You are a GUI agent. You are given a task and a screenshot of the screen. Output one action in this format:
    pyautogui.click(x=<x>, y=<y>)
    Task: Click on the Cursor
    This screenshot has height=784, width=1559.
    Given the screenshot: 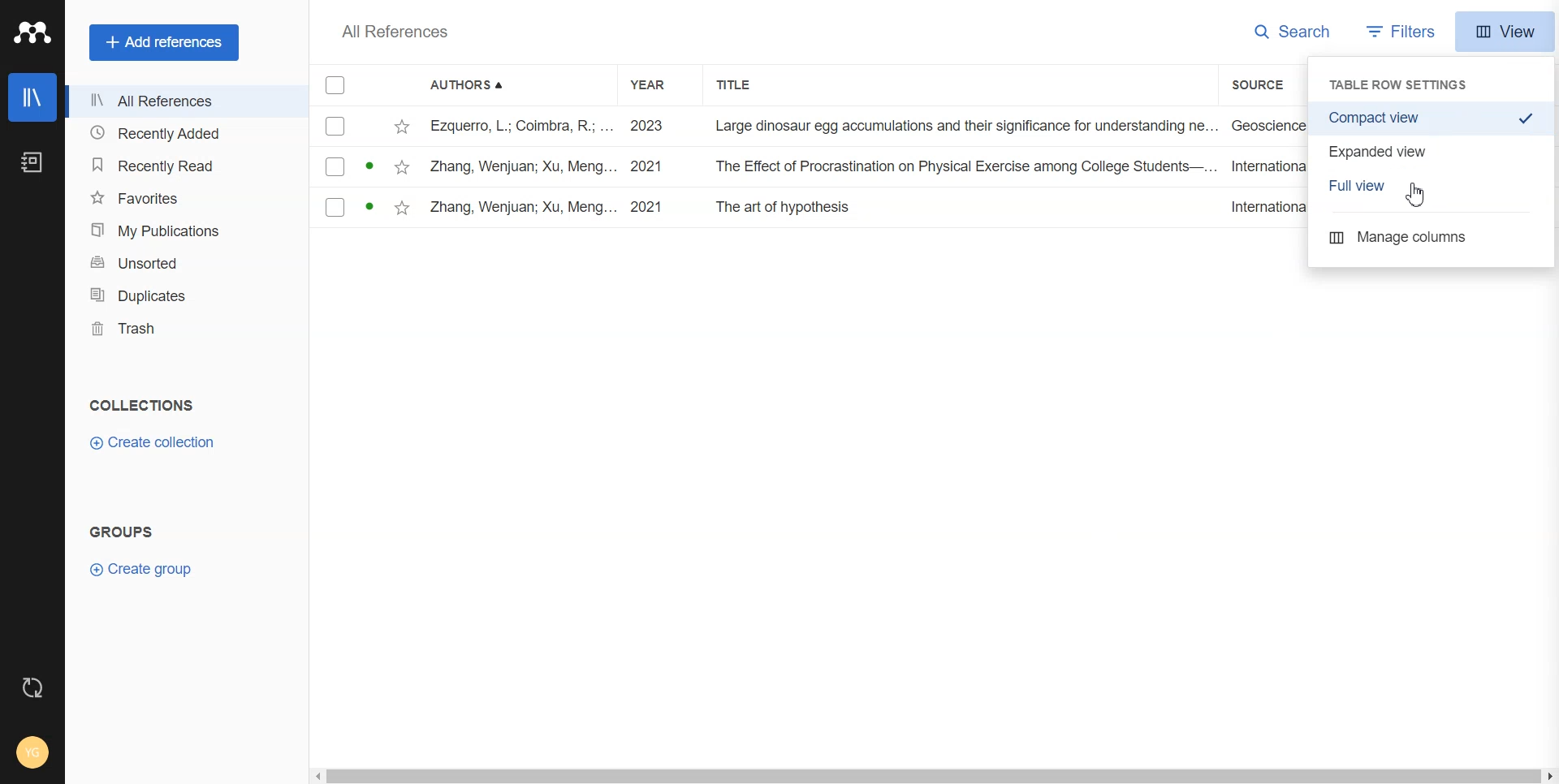 What is the action you would take?
    pyautogui.click(x=1417, y=196)
    